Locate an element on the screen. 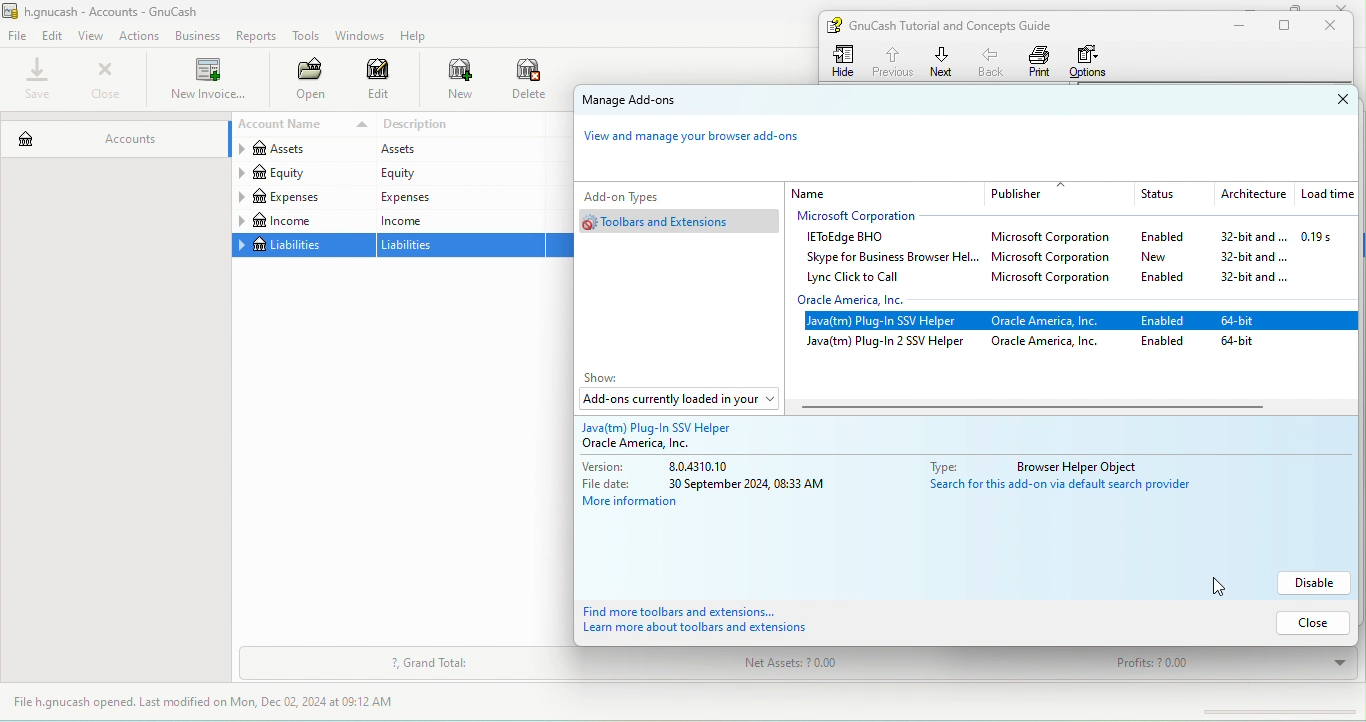 The image size is (1366, 722). equity is located at coordinates (458, 173).